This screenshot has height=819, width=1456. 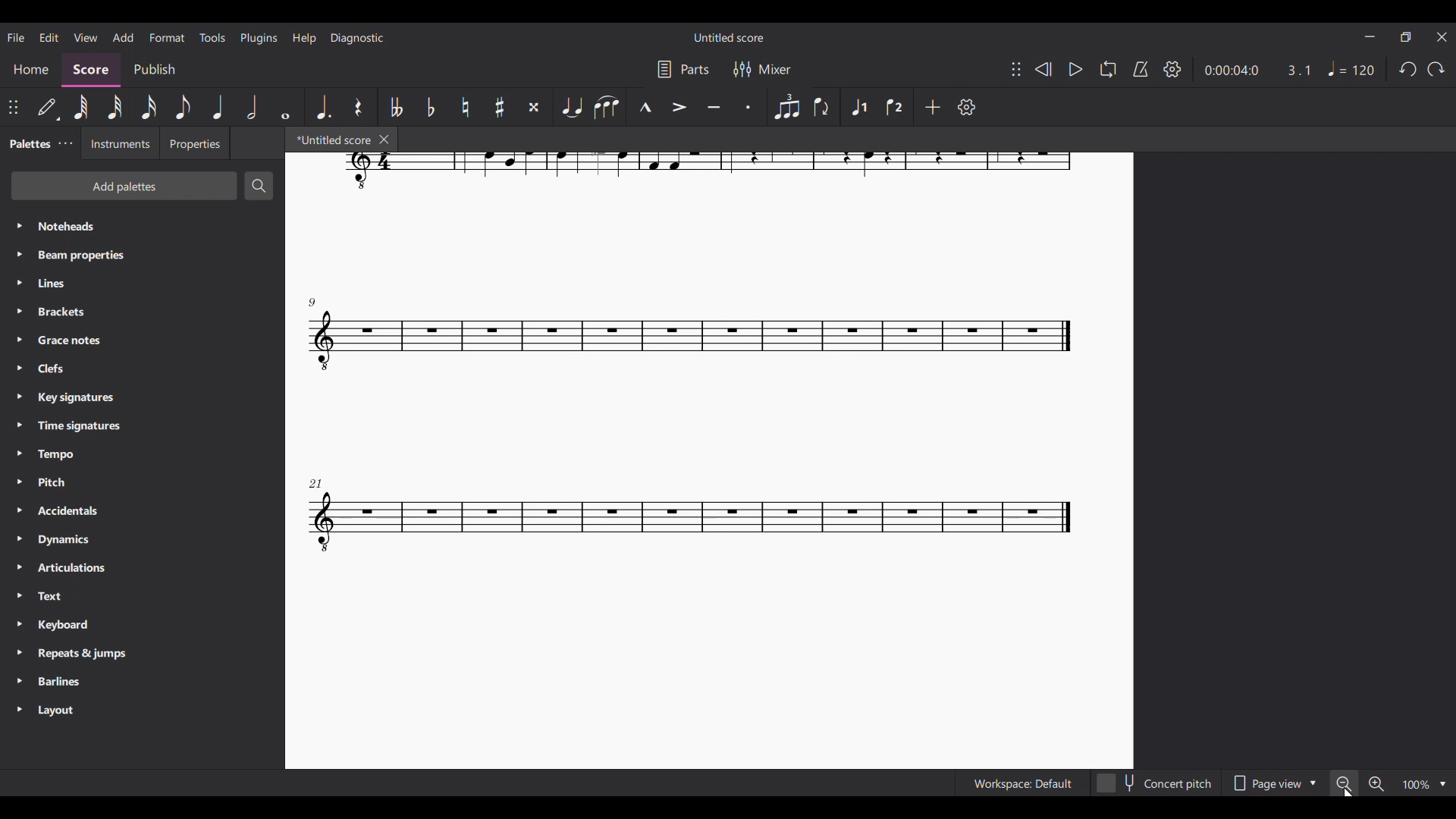 I want to click on Minimize, so click(x=1370, y=36).